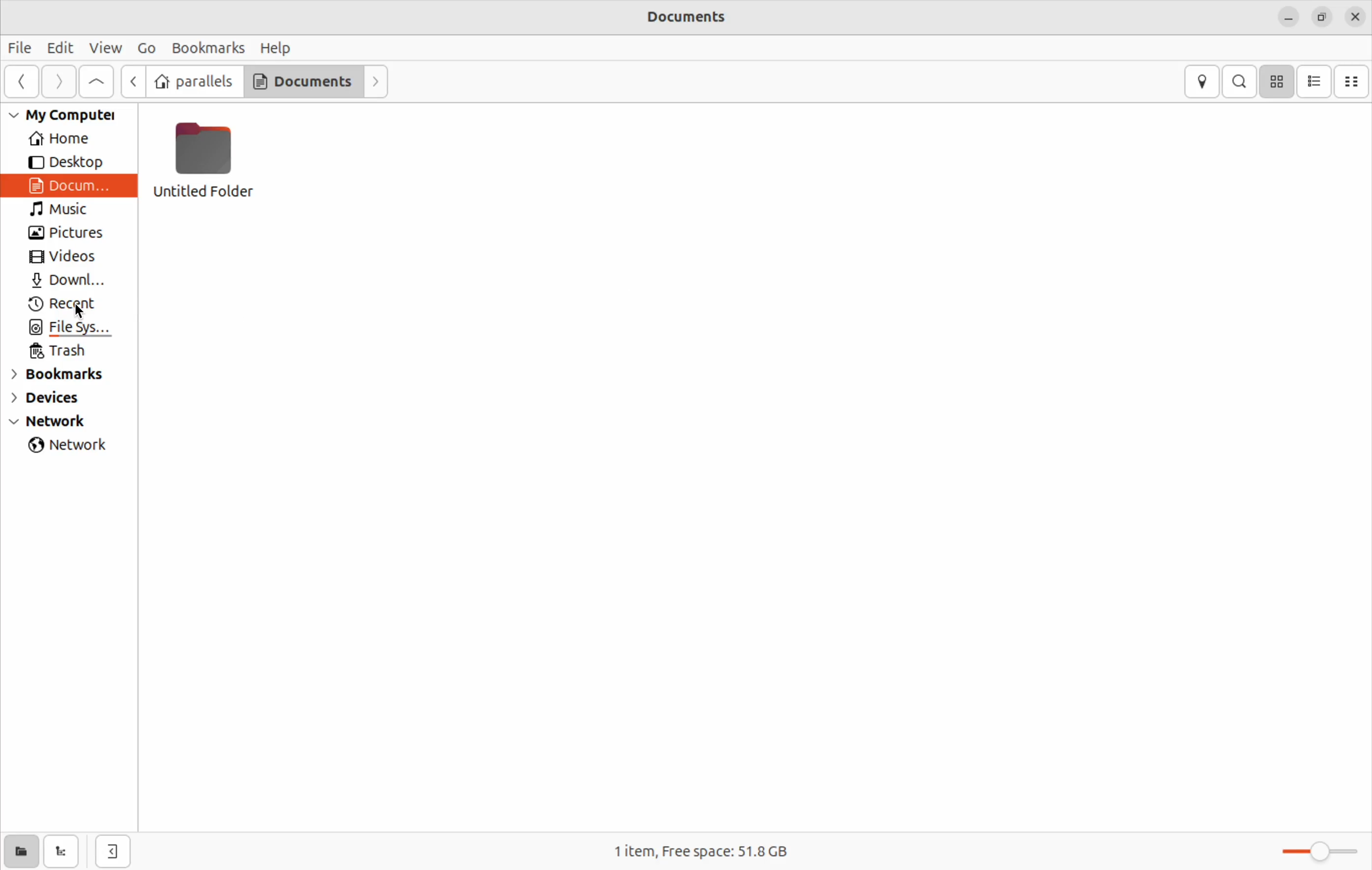 The width and height of the screenshot is (1372, 870). I want to click on bookmarks, so click(206, 48).